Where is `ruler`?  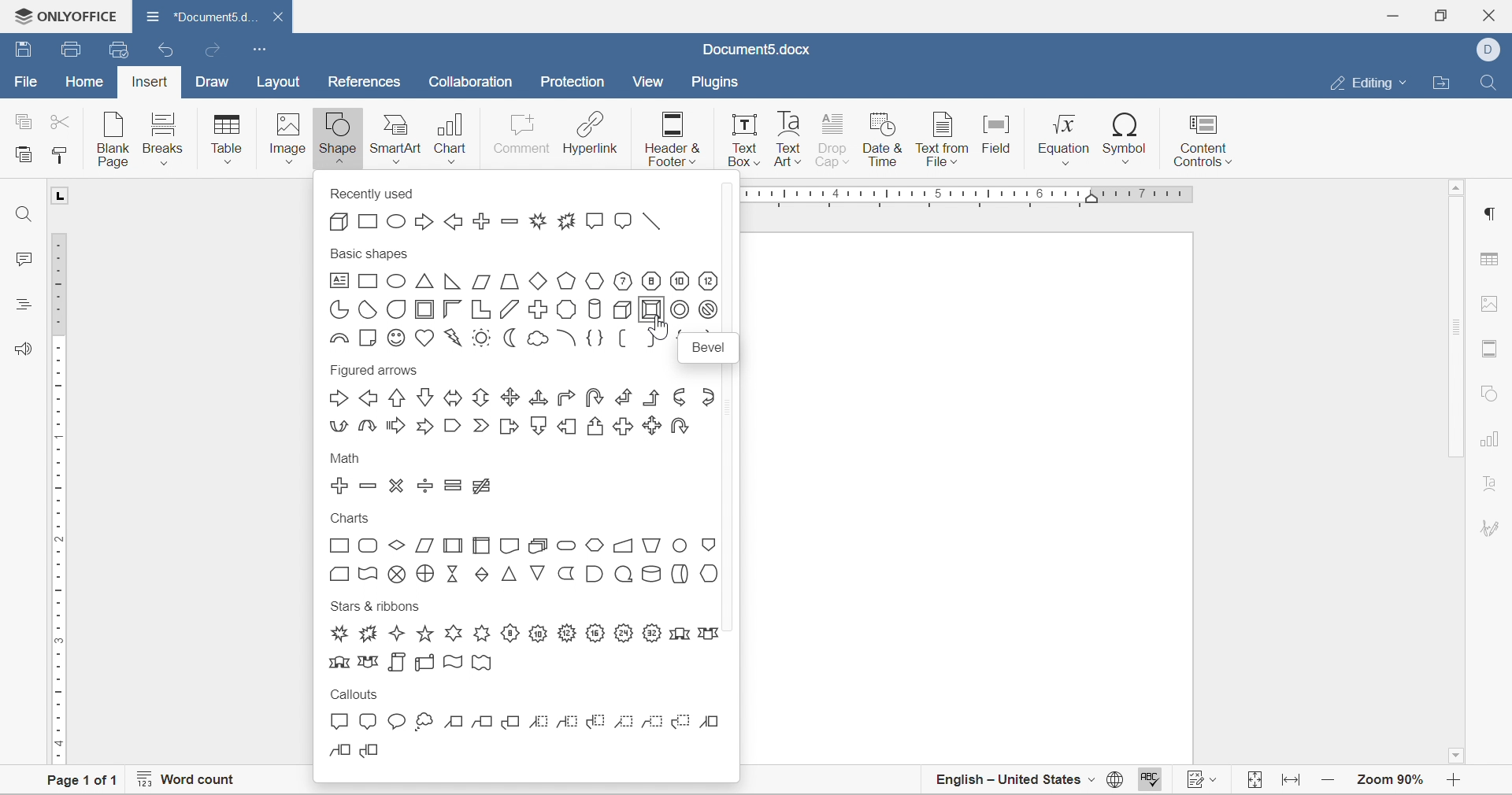
ruler is located at coordinates (969, 198).